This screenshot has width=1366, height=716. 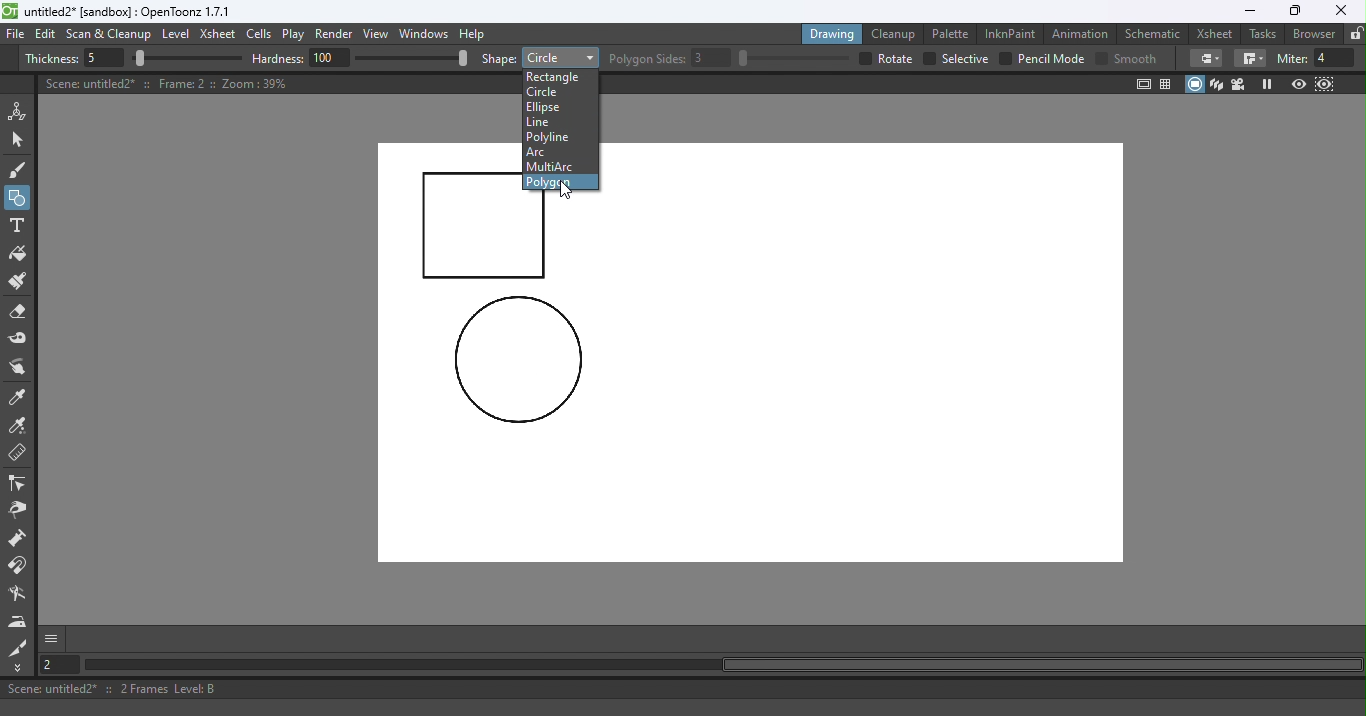 I want to click on View, so click(x=379, y=36).